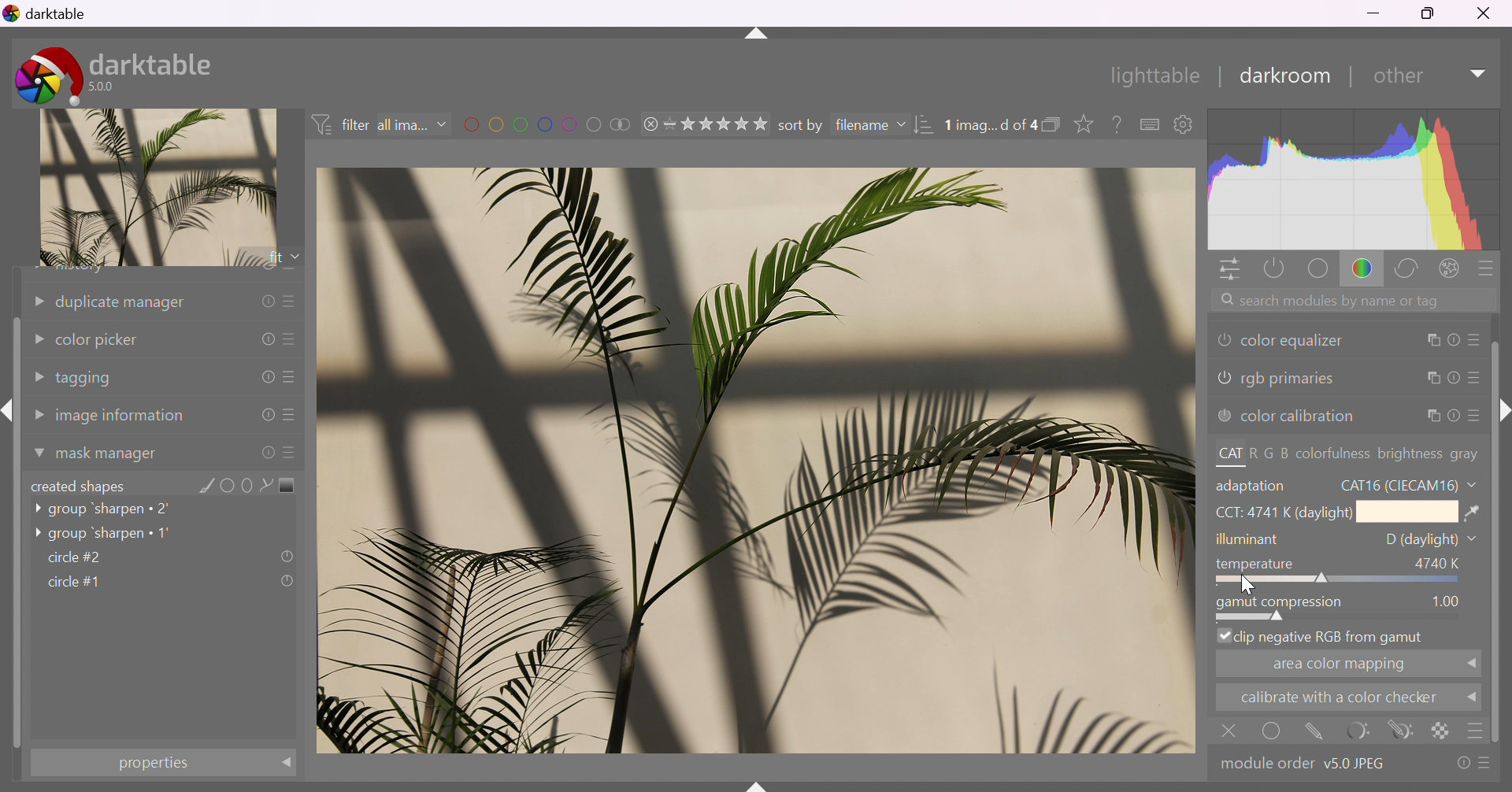 The height and width of the screenshot is (792, 1512). I want to click on darktable, so click(42, 12).